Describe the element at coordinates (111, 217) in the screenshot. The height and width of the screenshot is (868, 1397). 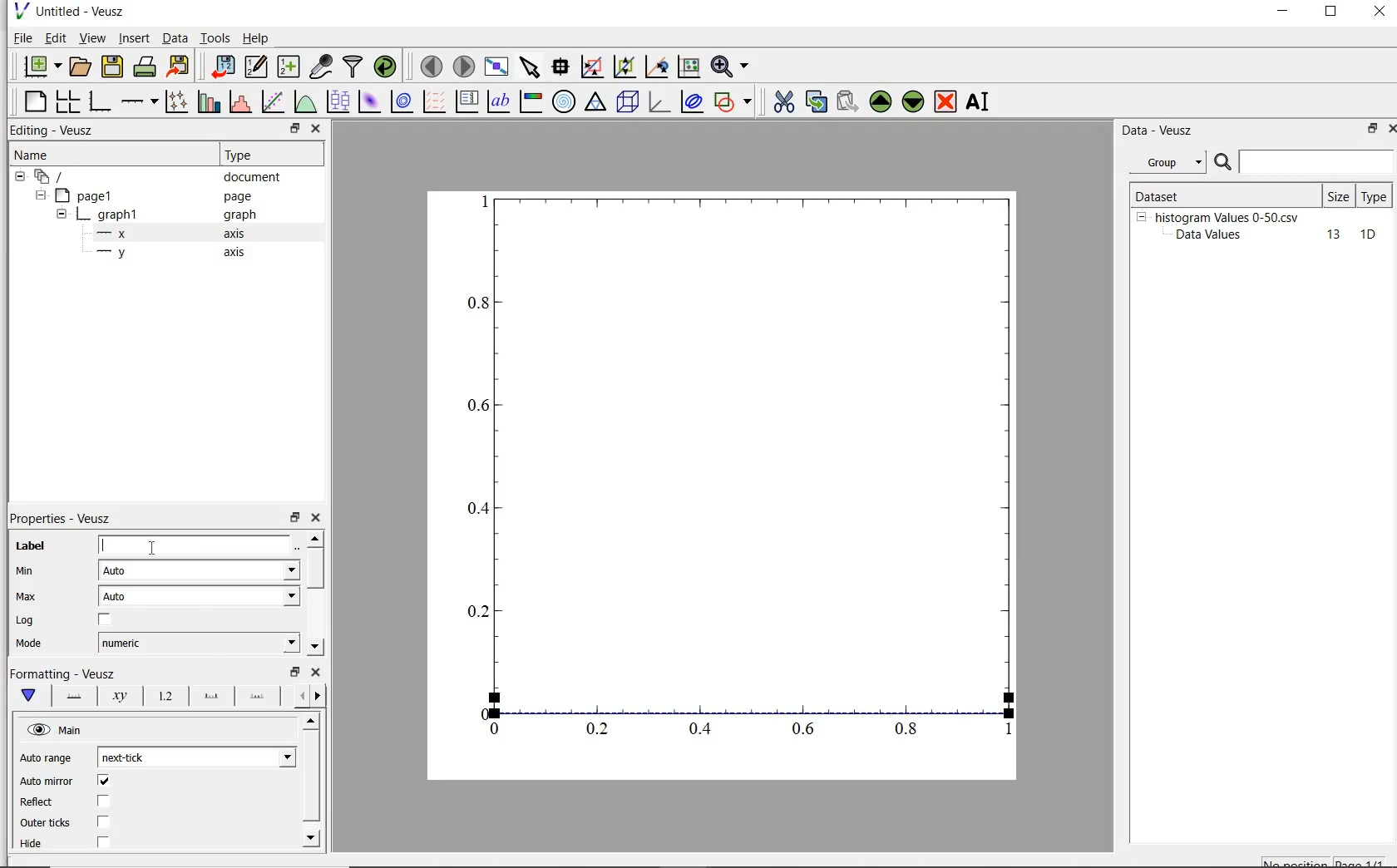
I see `graph1` at that location.